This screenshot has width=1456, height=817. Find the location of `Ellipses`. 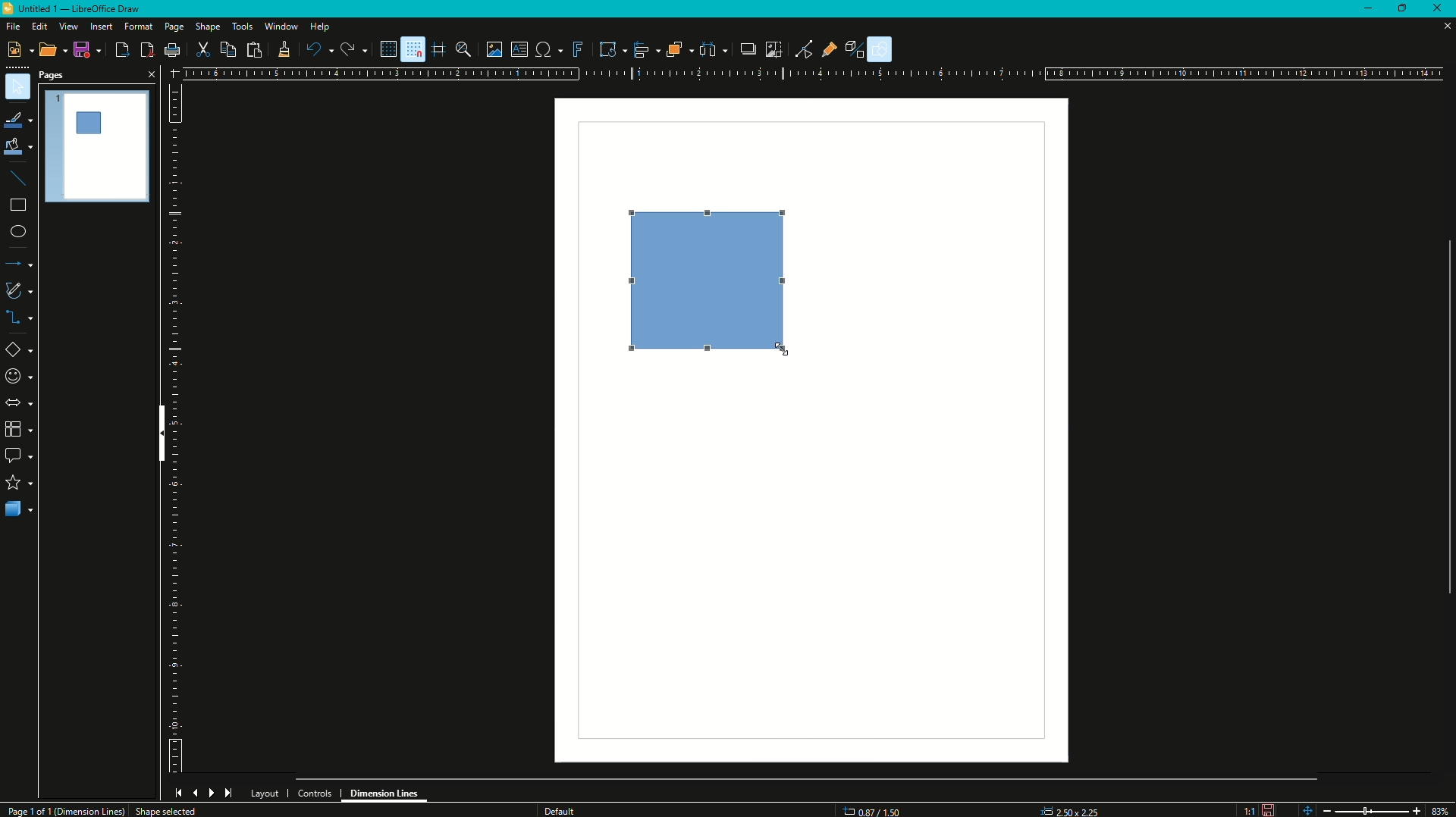

Ellipses is located at coordinates (17, 233).